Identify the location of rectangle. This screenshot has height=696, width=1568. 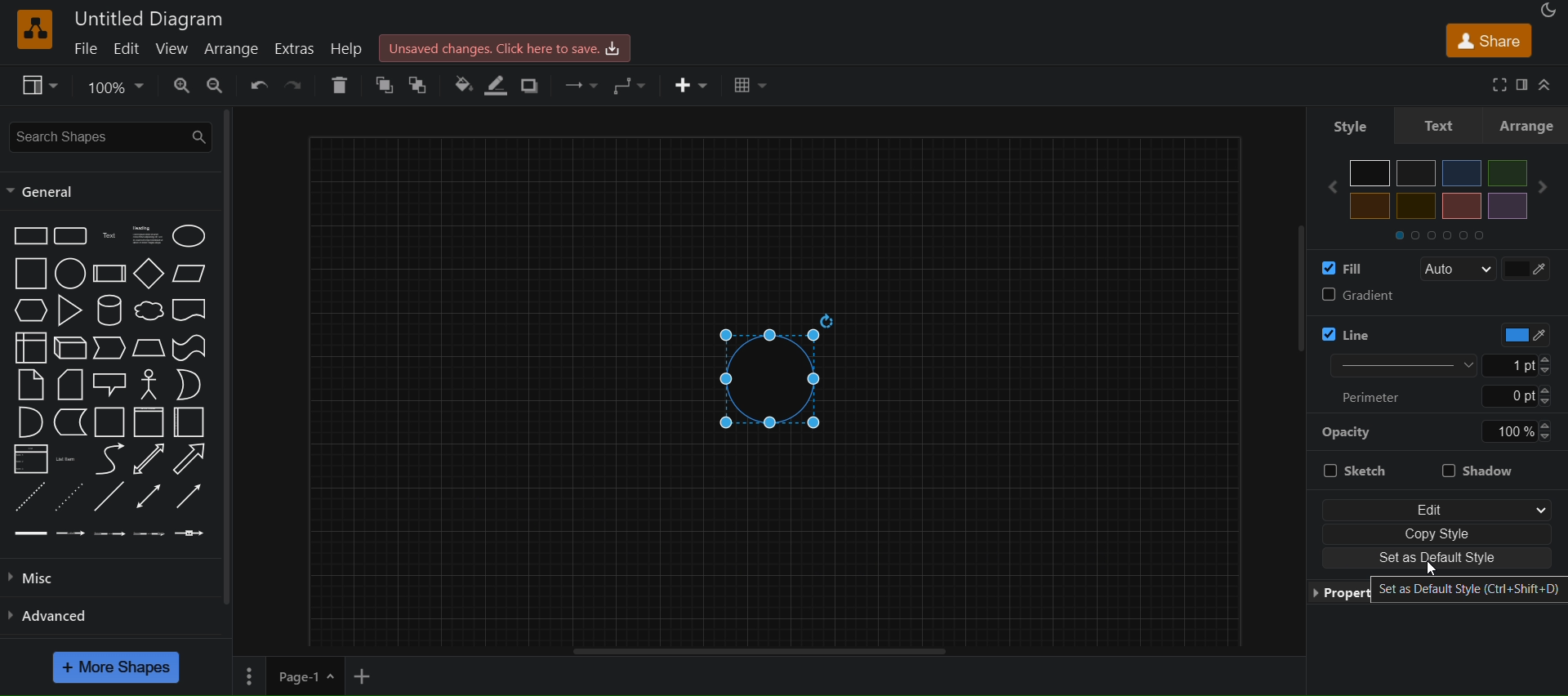
(29, 234).